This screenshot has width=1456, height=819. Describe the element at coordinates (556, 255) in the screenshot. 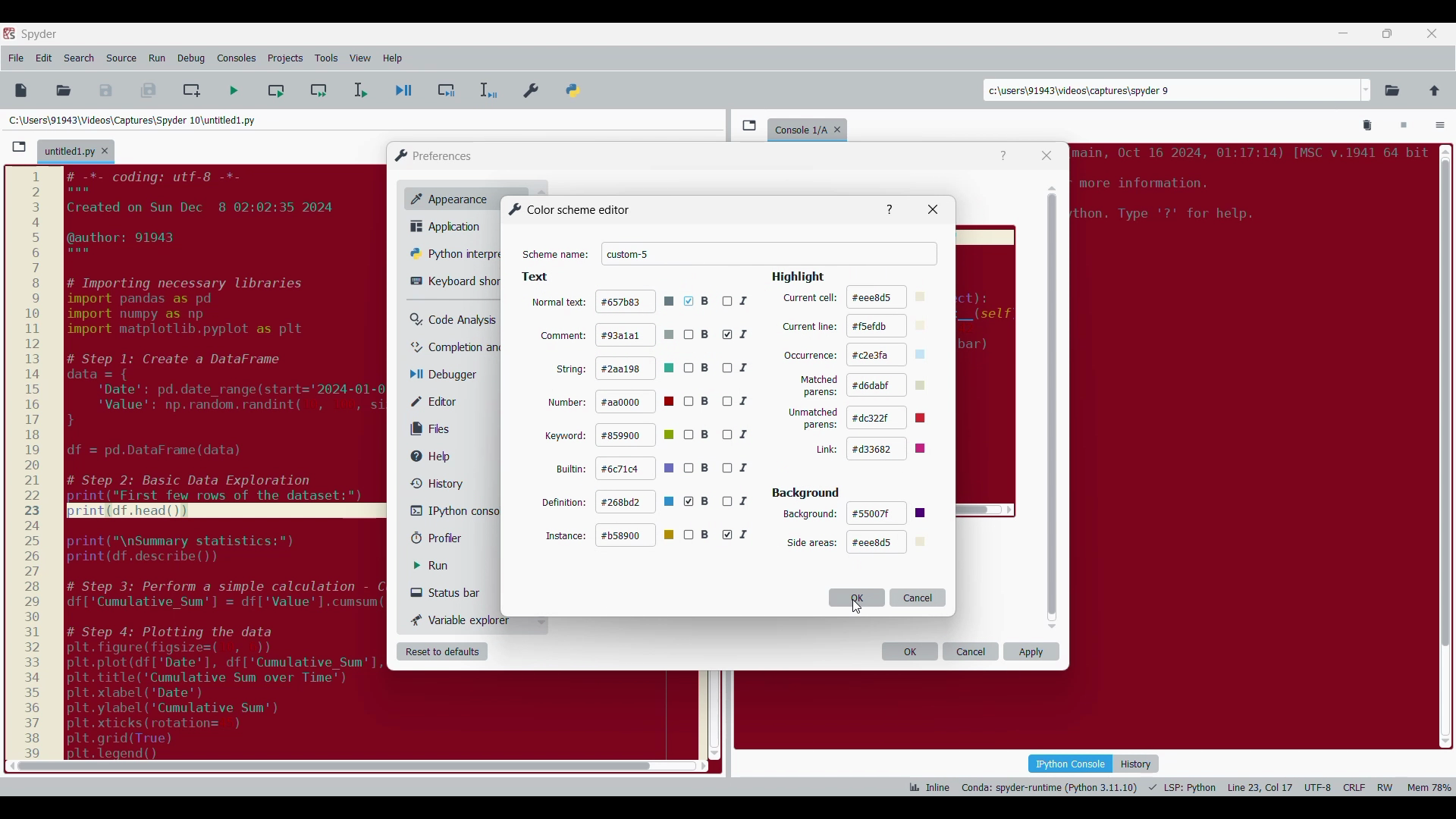

I see `Indicates text box for scheme name` at that location.